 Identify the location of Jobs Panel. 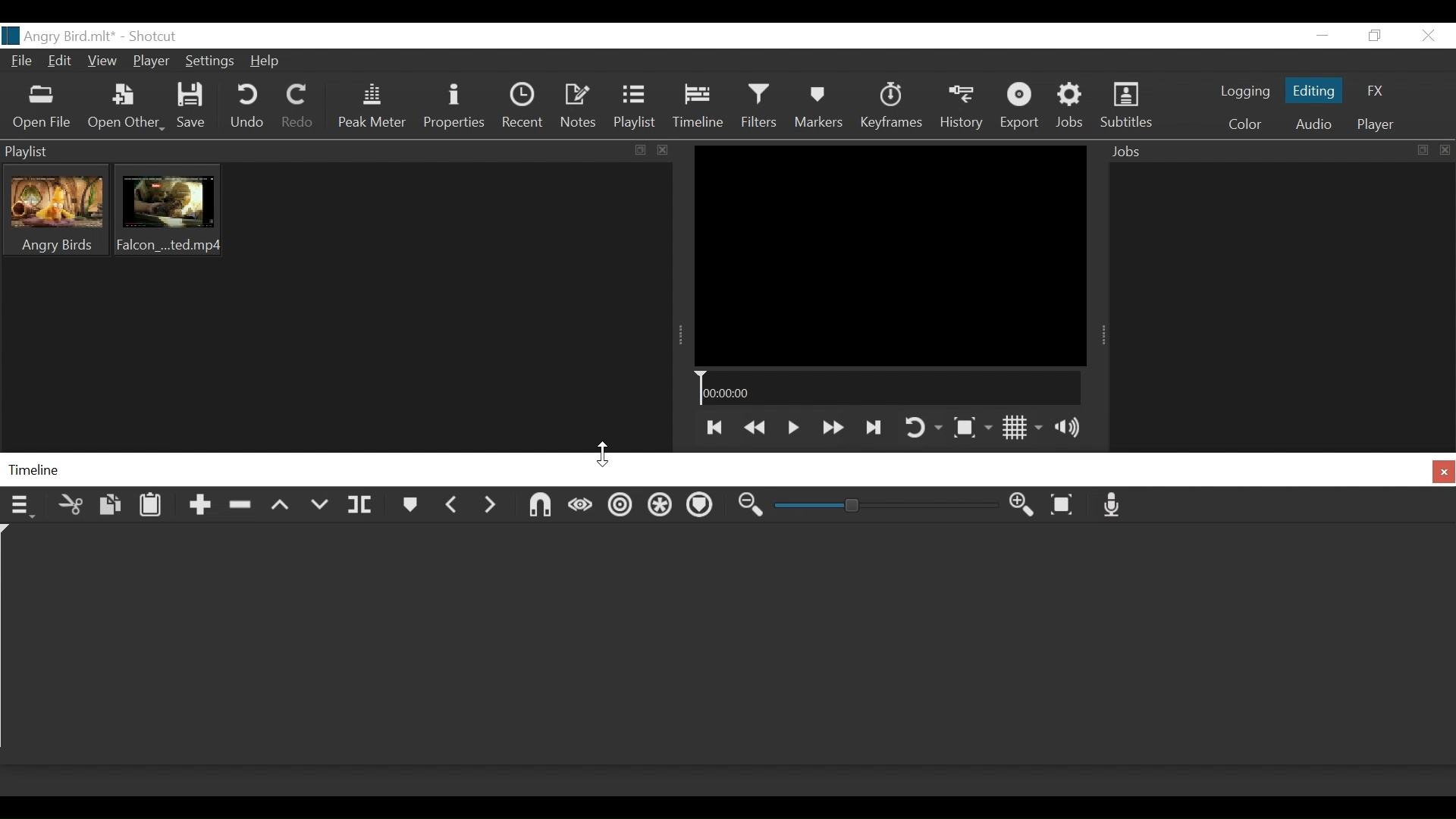
(1281, 303).